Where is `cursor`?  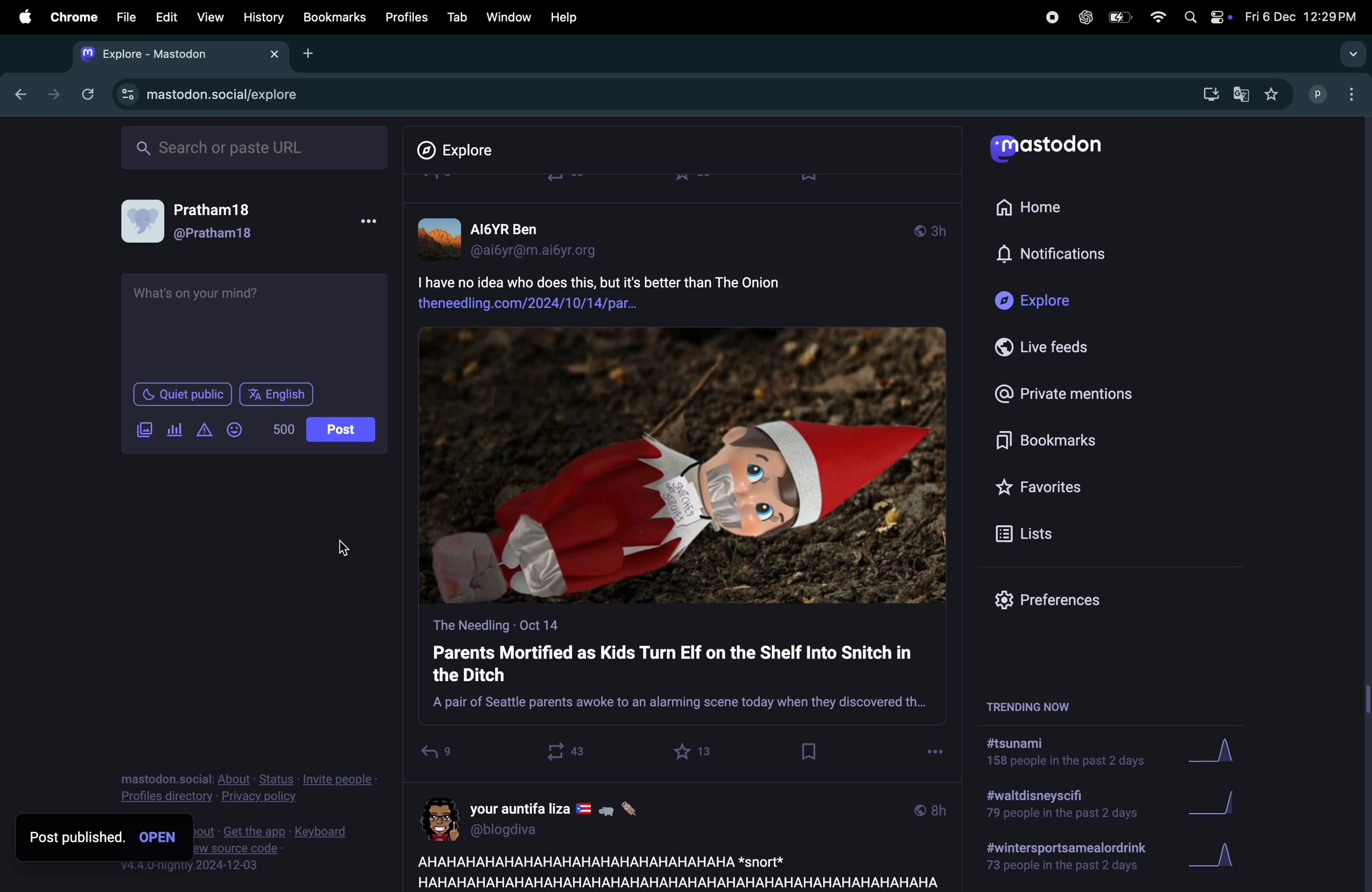 cursor is located at coordinates (349, 553).